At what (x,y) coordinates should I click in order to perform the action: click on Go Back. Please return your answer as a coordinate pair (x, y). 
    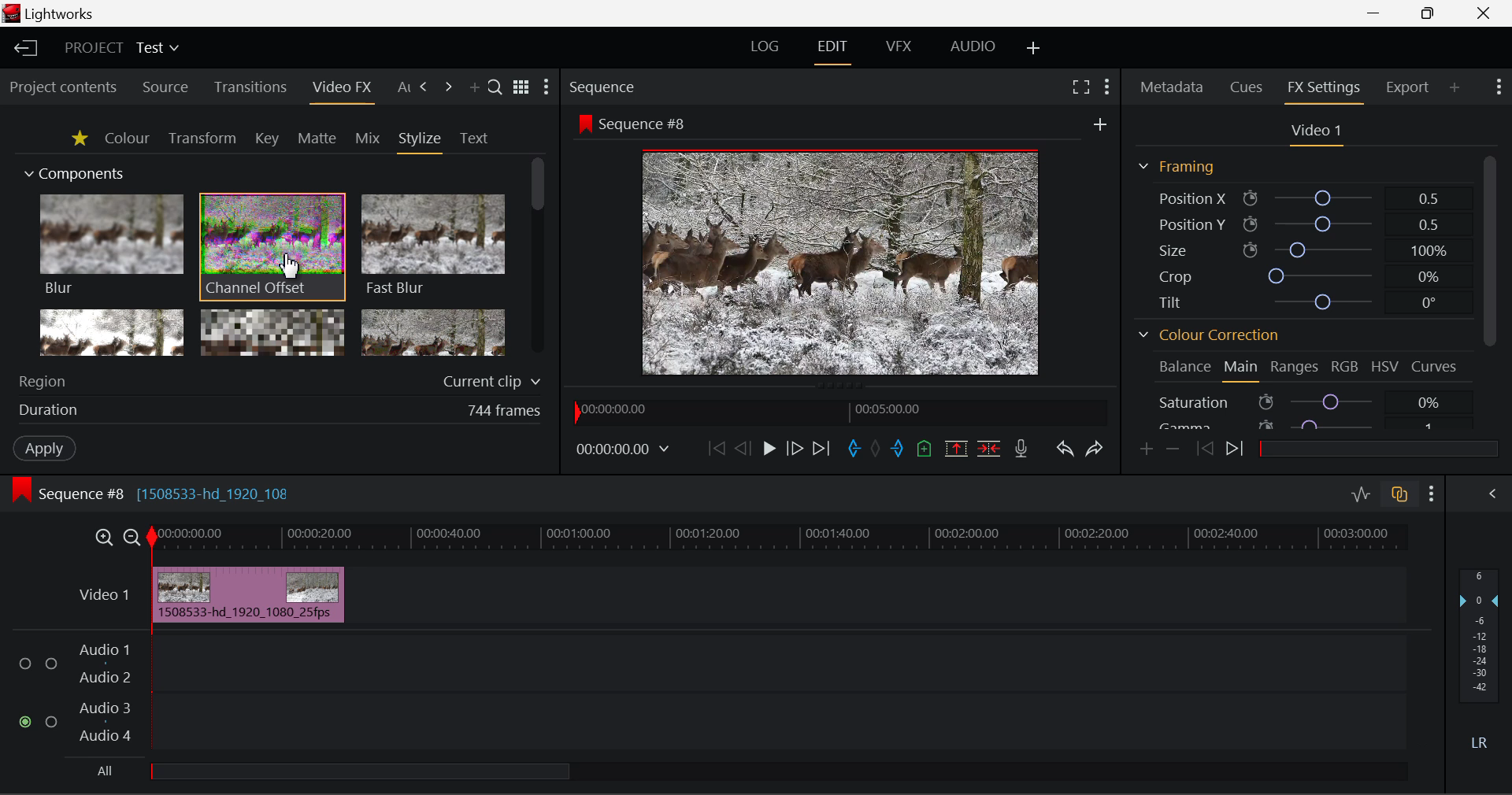
    Looking at the image, I should click on (741, 449).